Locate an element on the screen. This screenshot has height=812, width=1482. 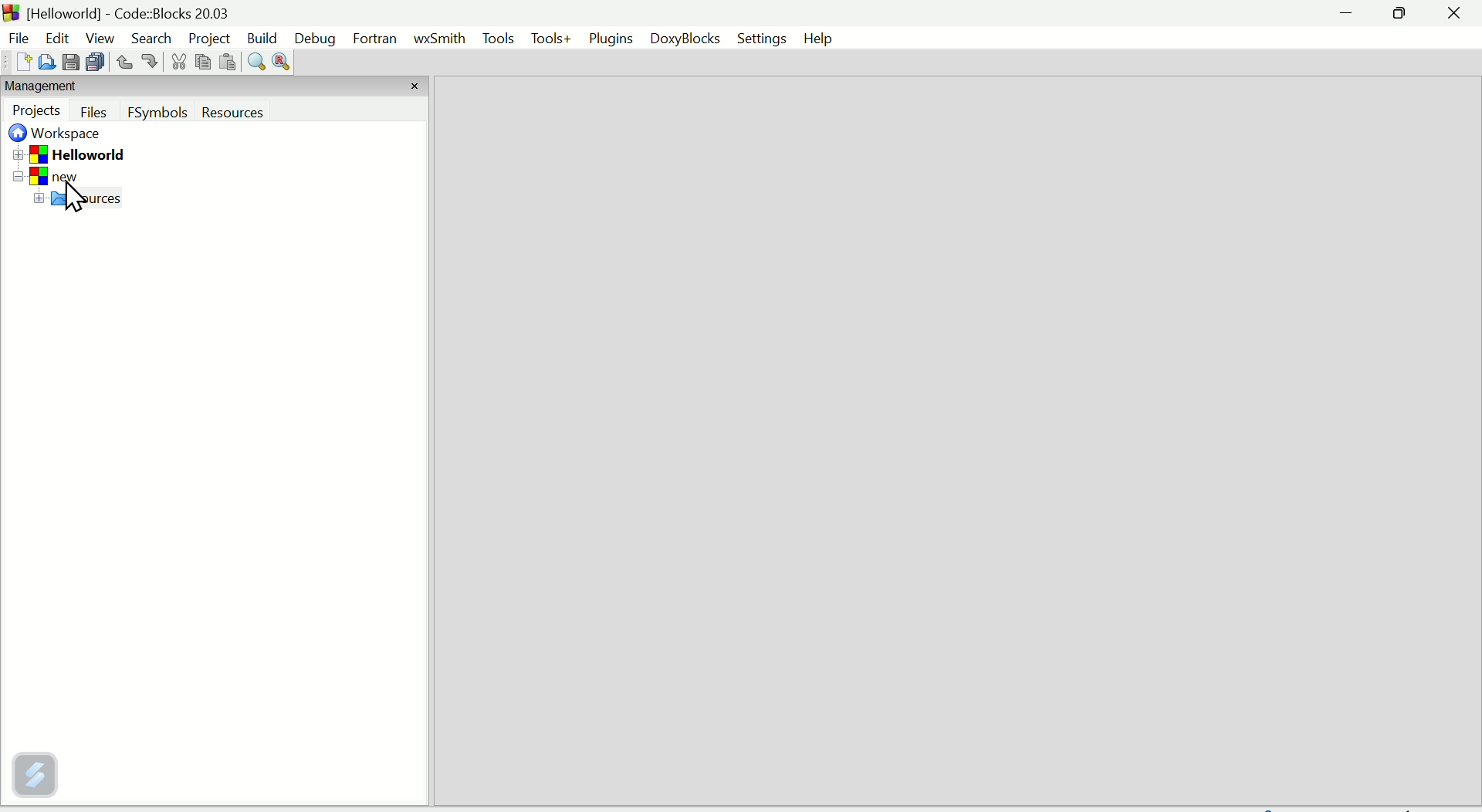
Workplace is located at coordinates (60, 135).